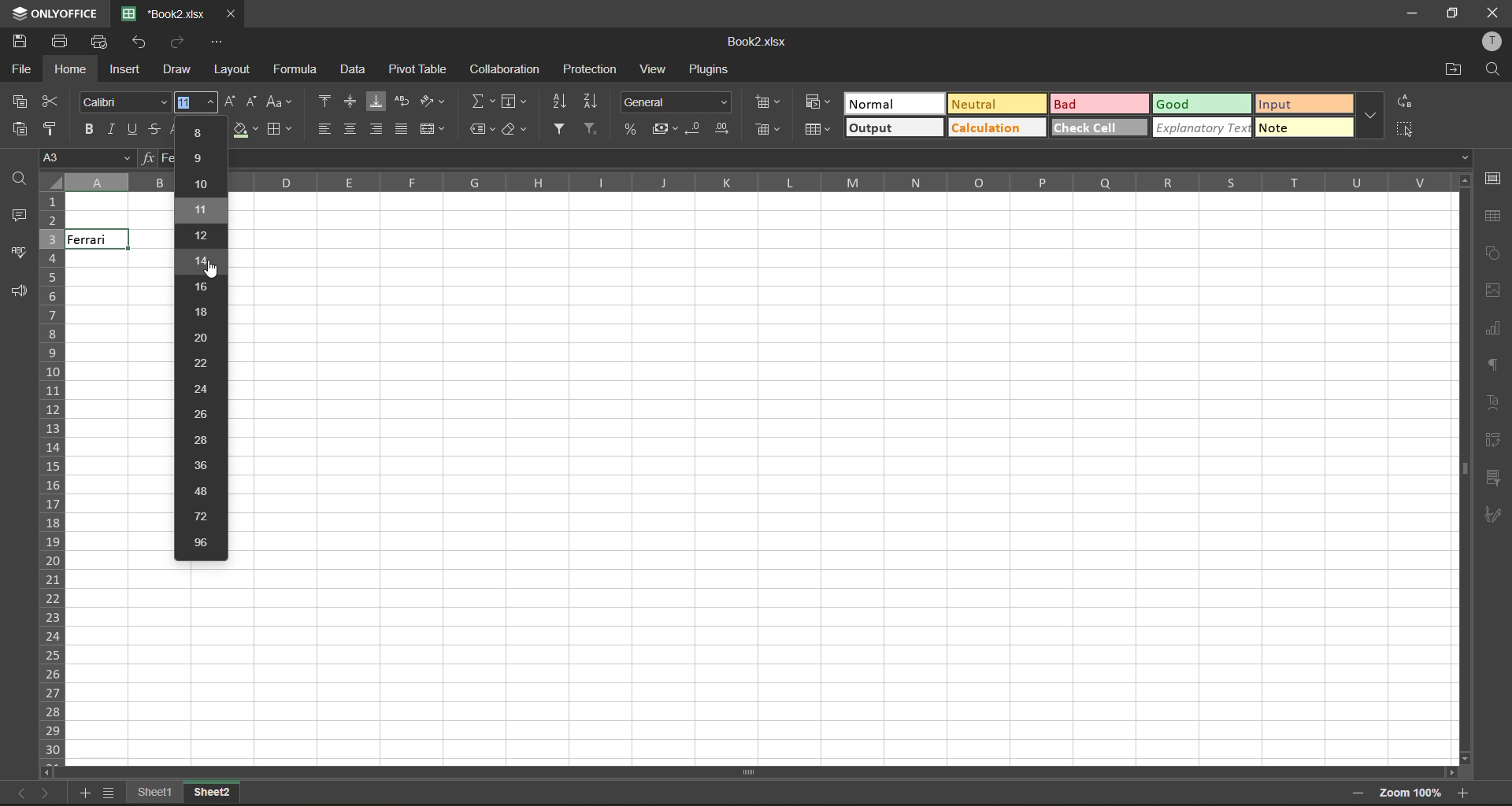 The image size is (1512, 806). I want to click on named ranges, so click(482, 126).